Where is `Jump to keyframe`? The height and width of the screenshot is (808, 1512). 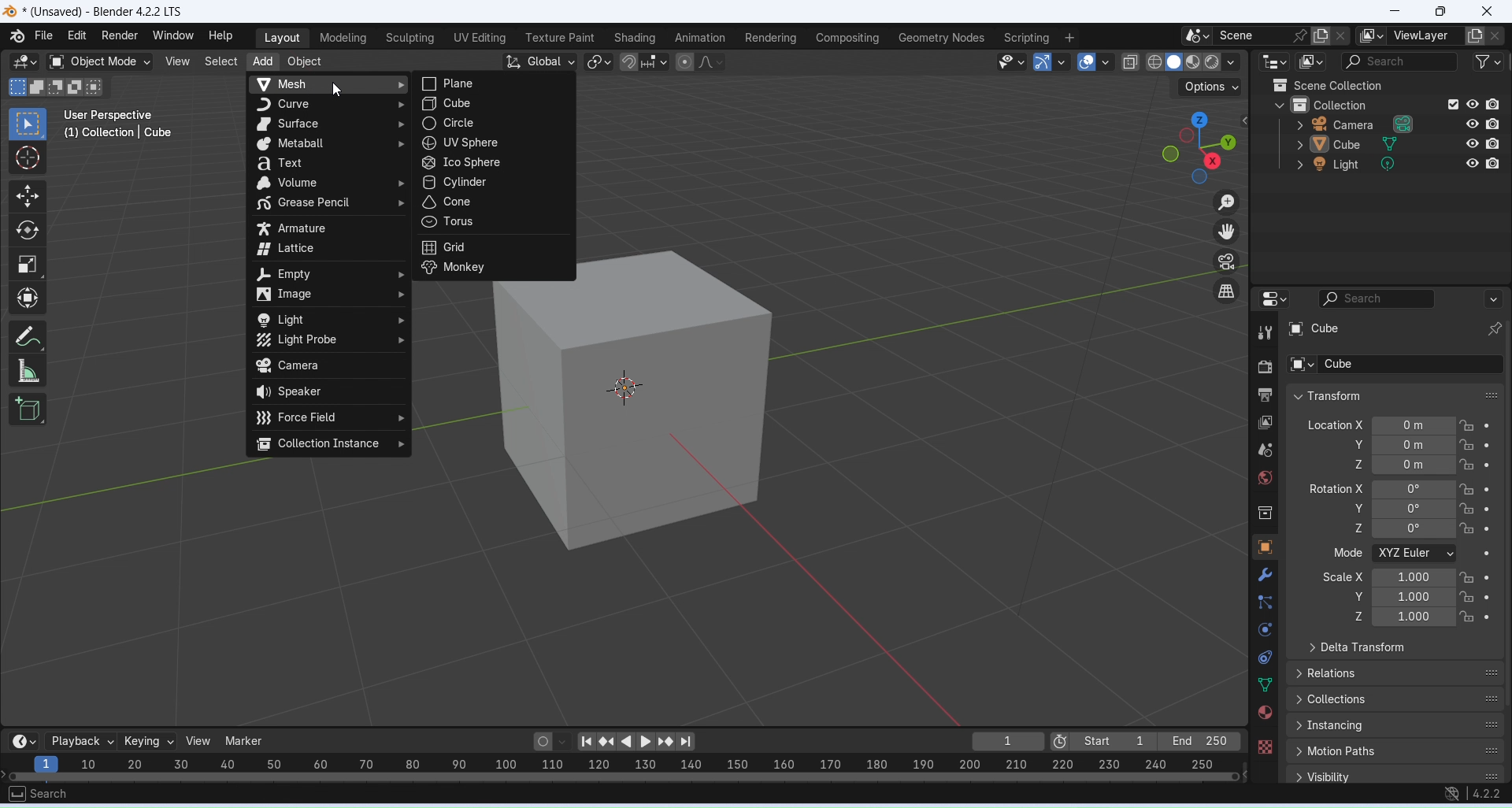 Jump to keyframe is located at coordinates (668, 742).